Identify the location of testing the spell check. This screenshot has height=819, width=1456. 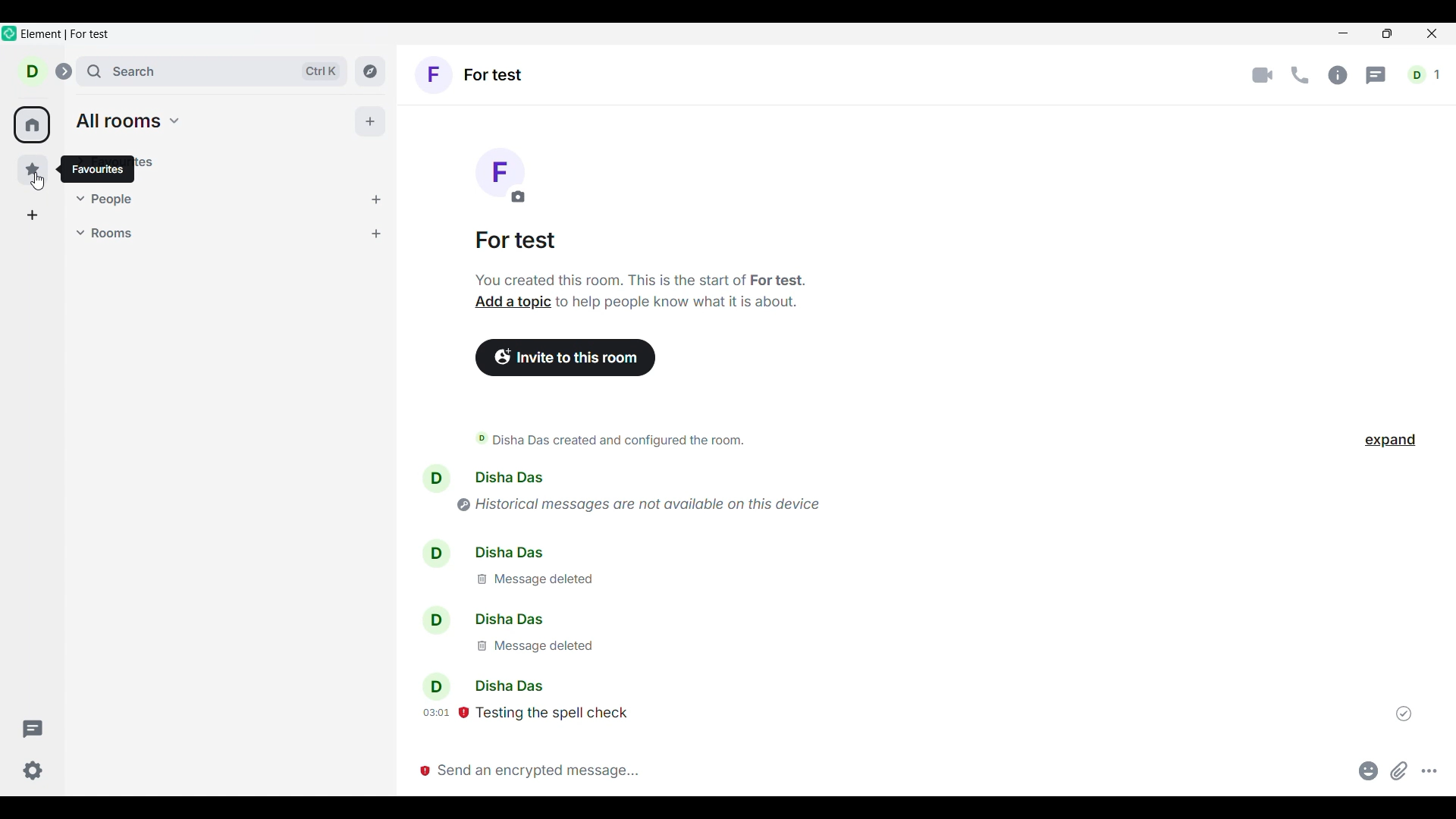
(552, 717).